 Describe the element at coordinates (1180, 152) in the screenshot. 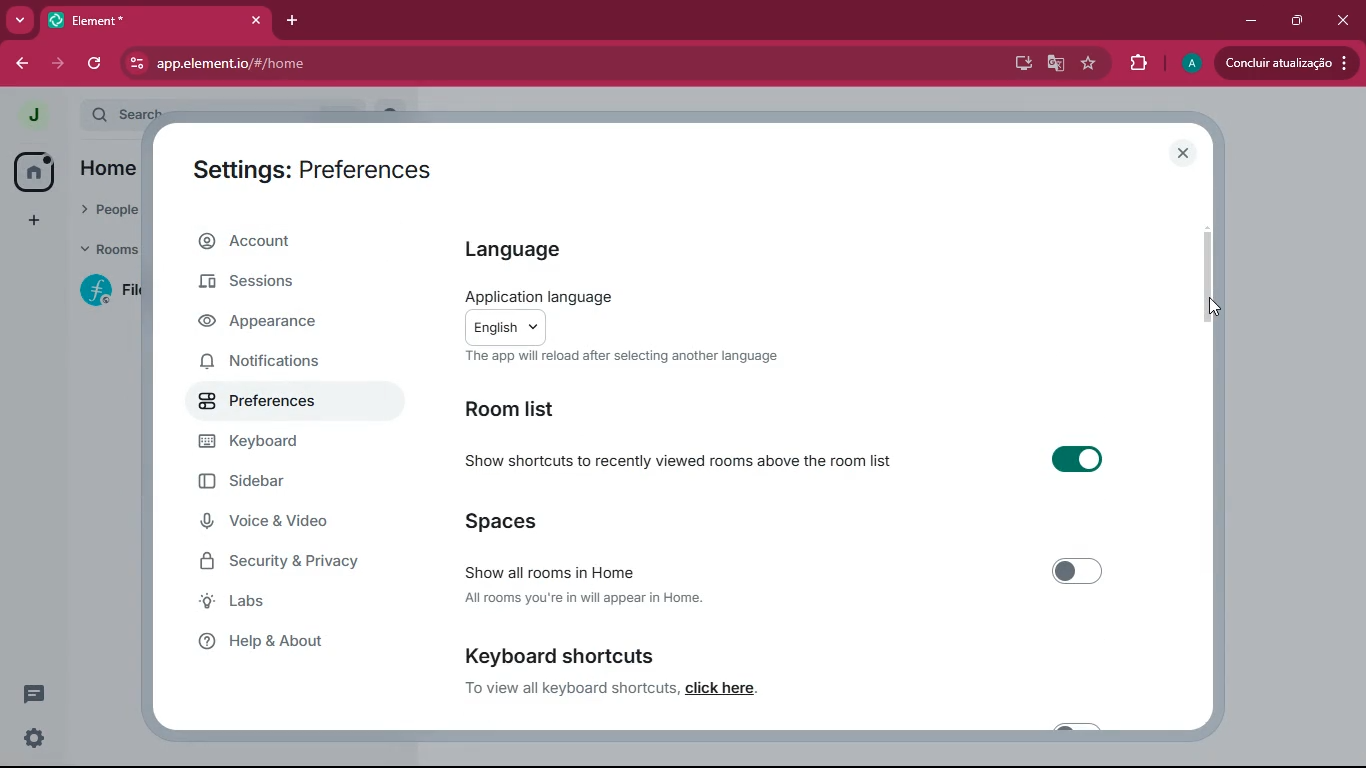

I see `close` at that location.